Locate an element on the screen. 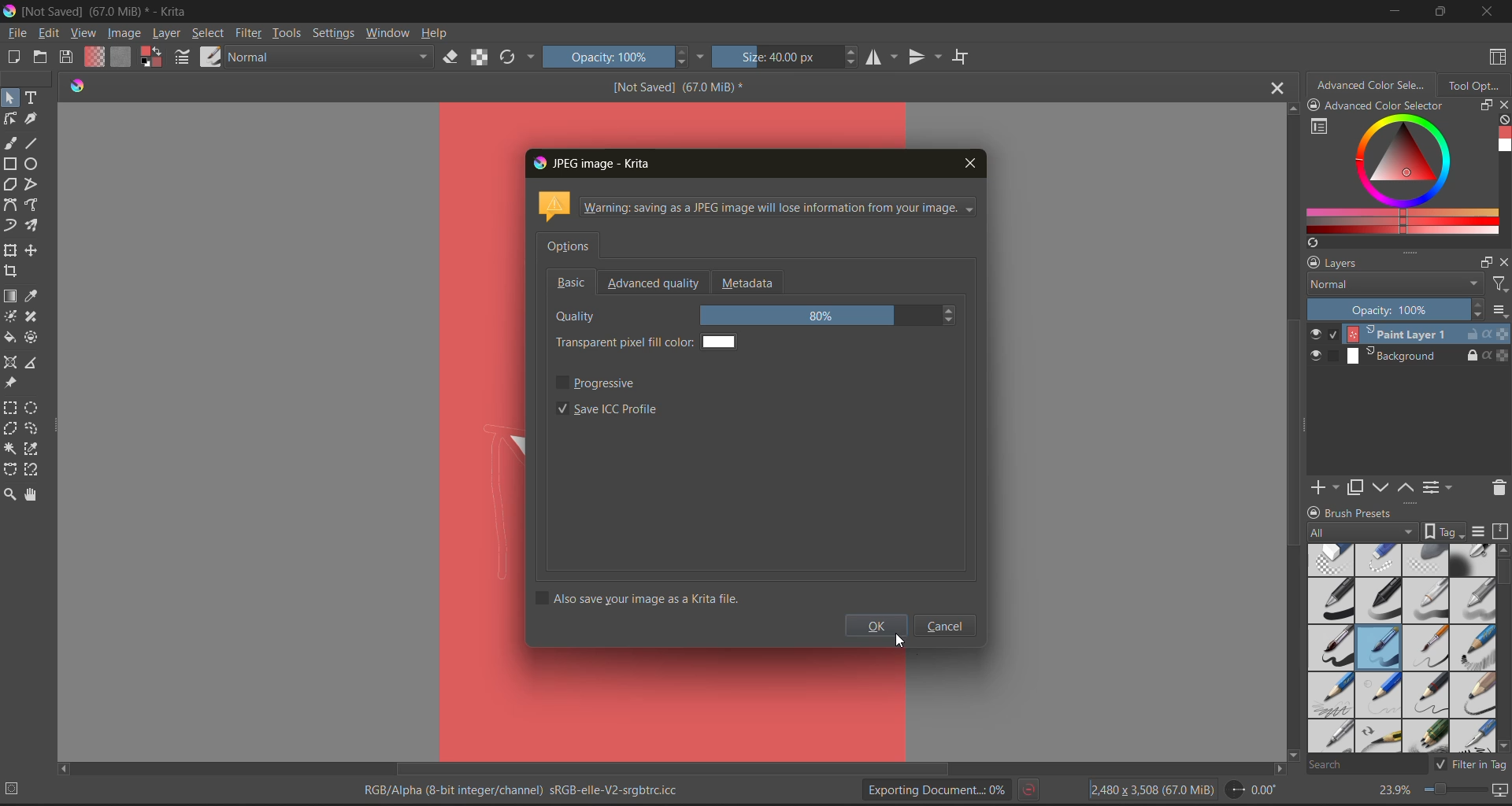  tools is located at coordinates (31, 494).